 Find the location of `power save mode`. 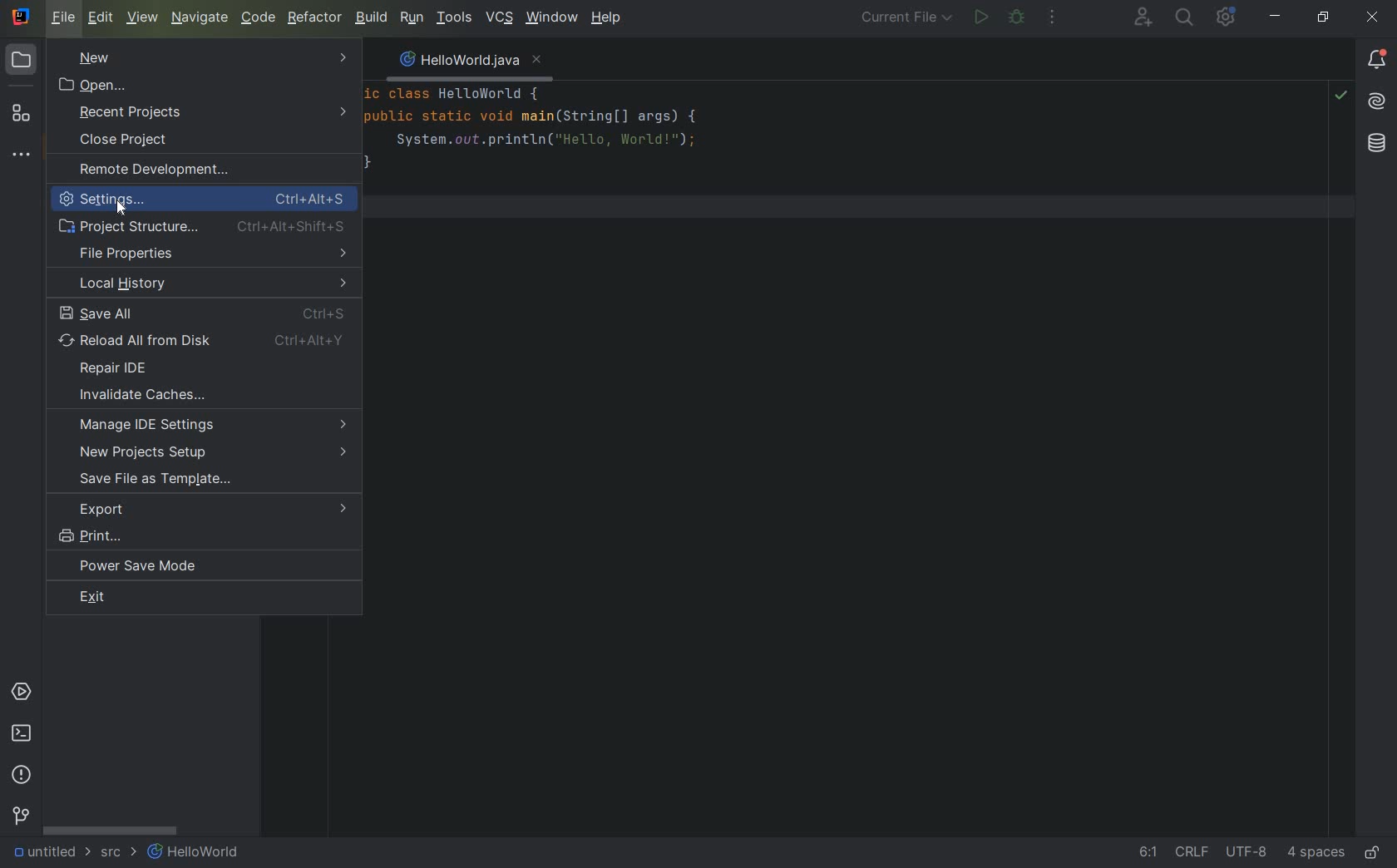

power save mode is located at coordinates (149, 567).